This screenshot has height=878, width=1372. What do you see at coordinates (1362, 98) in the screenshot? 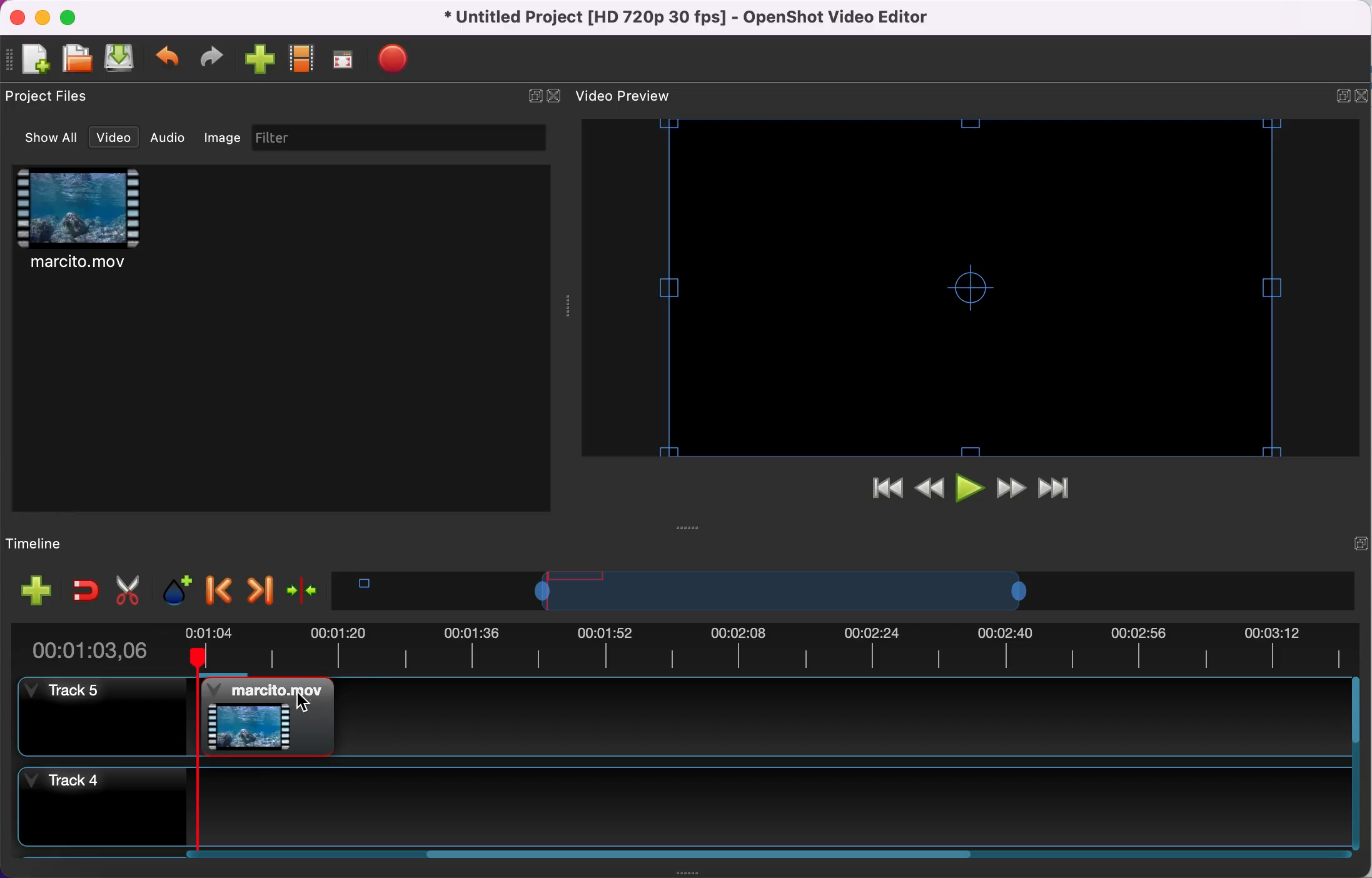
I see `close` at bounding box center [1362, 98].